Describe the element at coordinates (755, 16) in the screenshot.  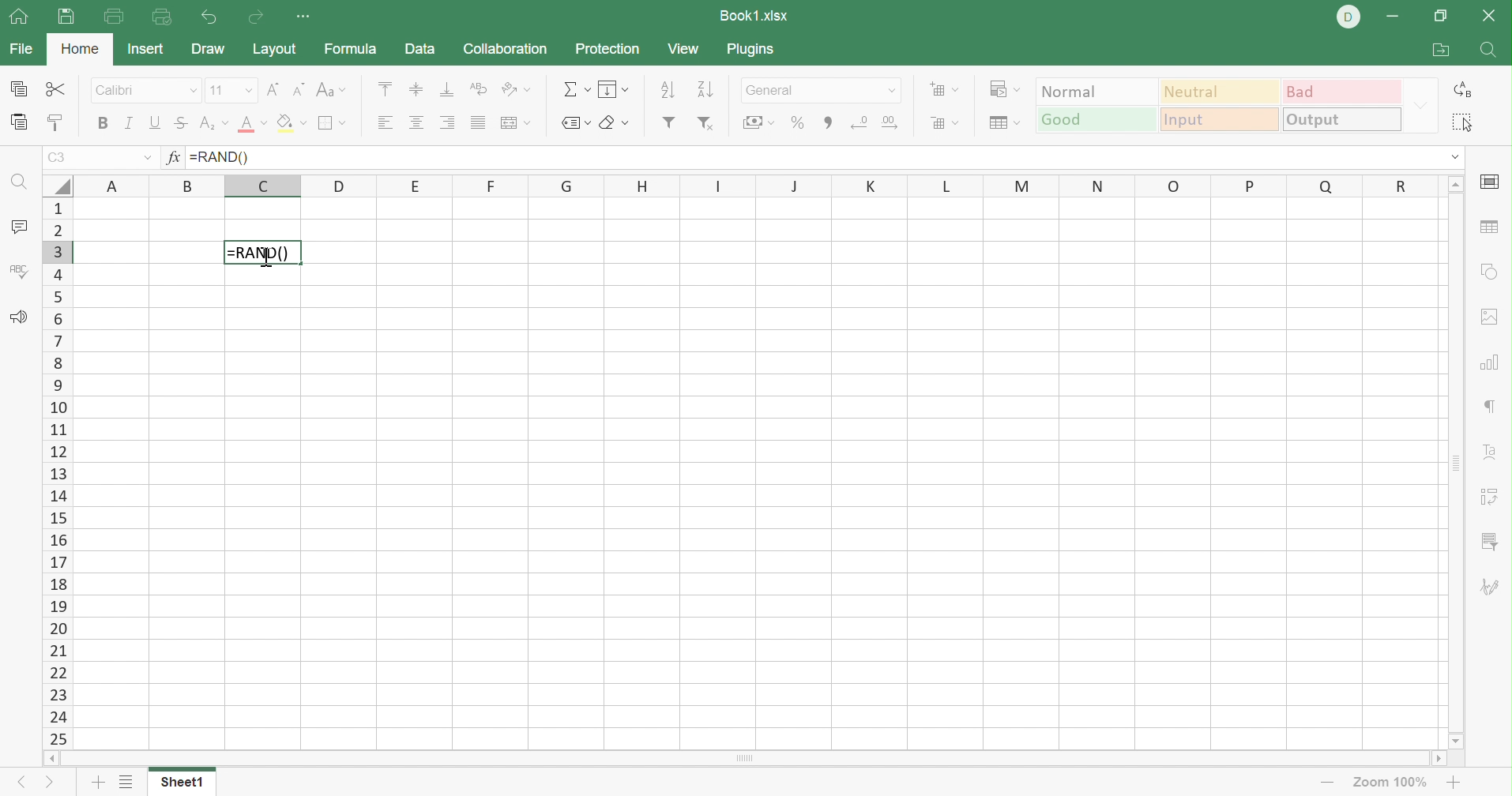
I see `Book1.xlsx` at that location.